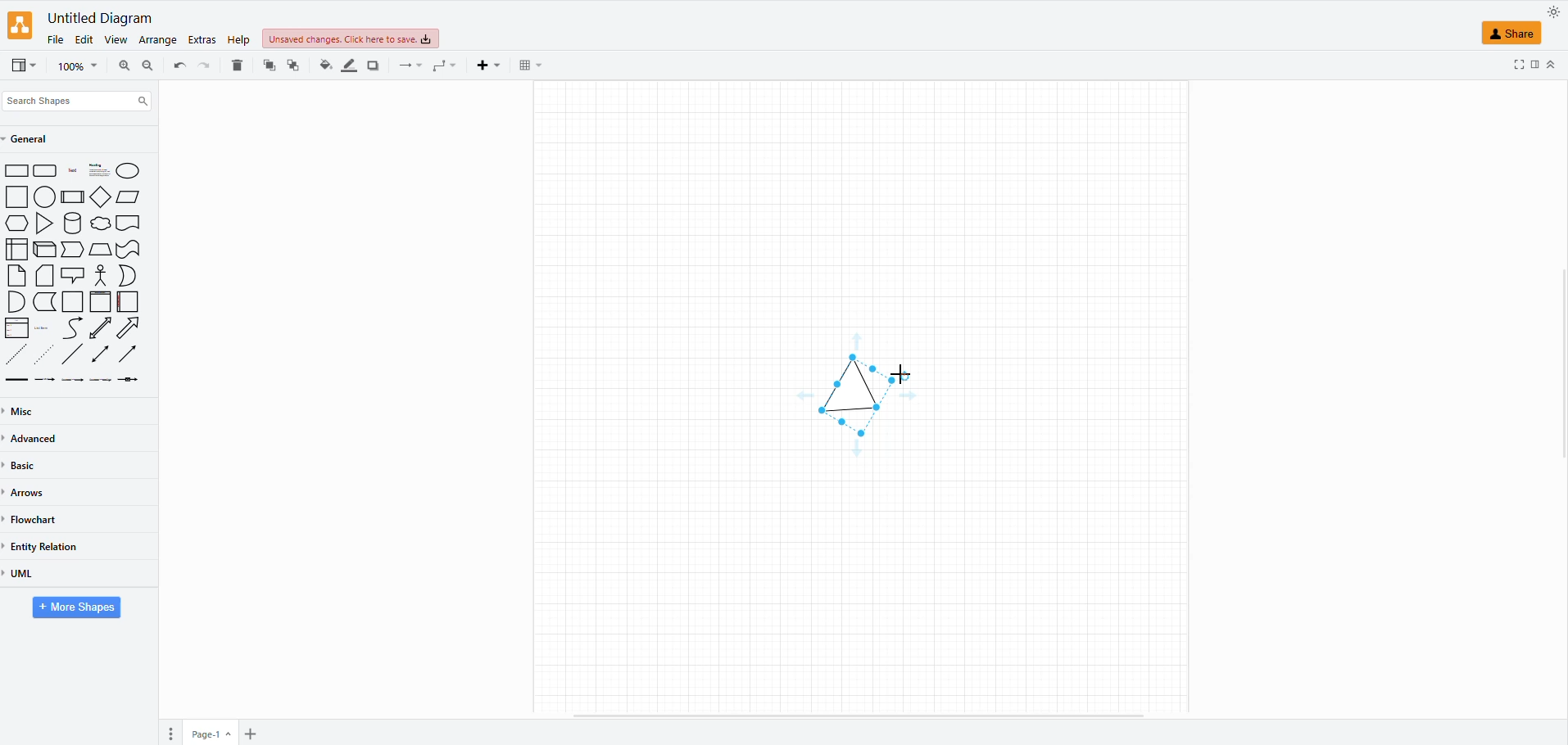  What do you see at coordinates (294, 63) in the screenshot?
I see `to front` at bounding box center [294, 63].